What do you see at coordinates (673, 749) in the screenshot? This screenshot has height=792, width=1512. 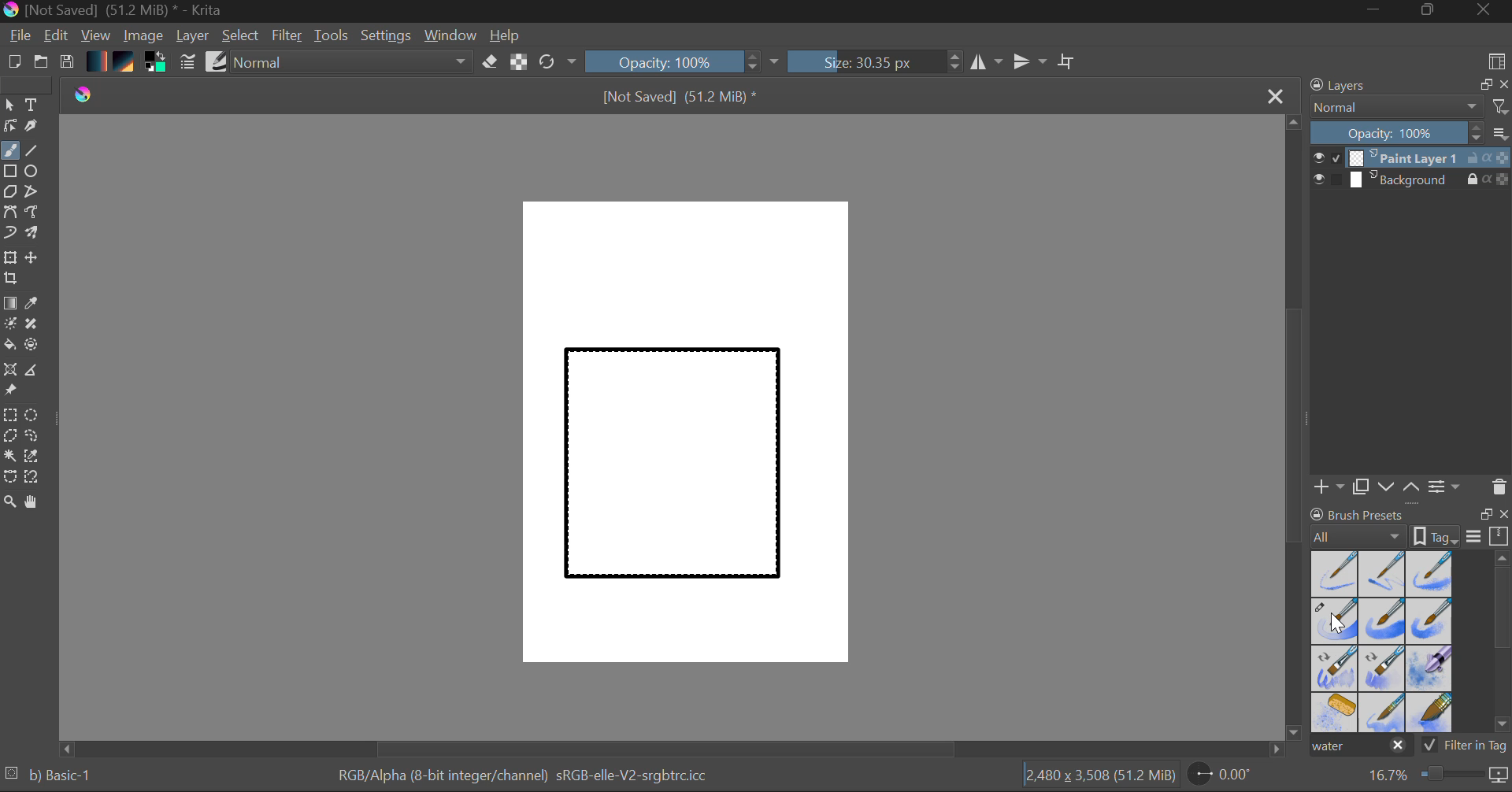 I see `Scroll Bar` at bounding box center [673, 749].